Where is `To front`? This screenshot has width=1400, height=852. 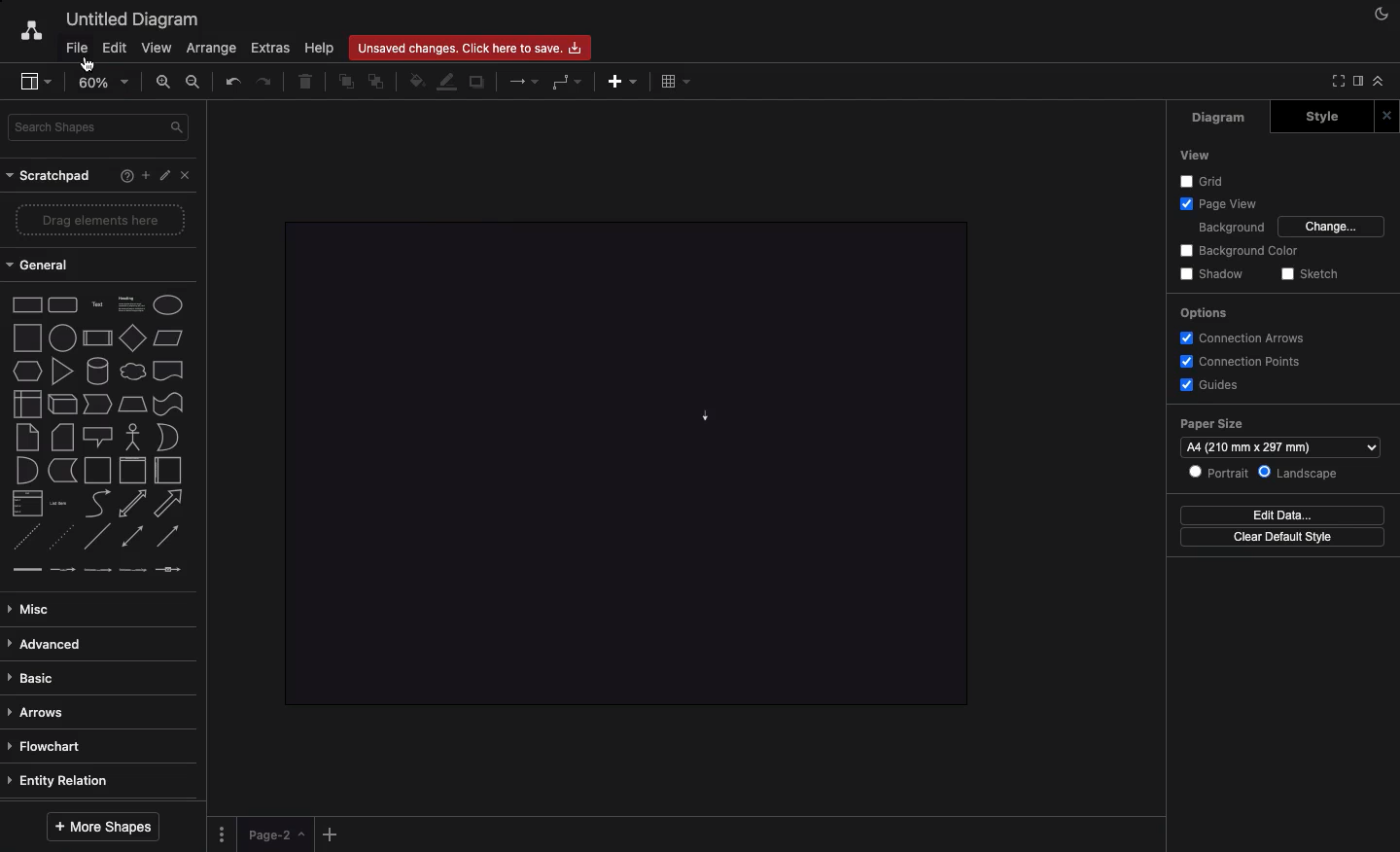
To front is located at coordinates (345, 83).